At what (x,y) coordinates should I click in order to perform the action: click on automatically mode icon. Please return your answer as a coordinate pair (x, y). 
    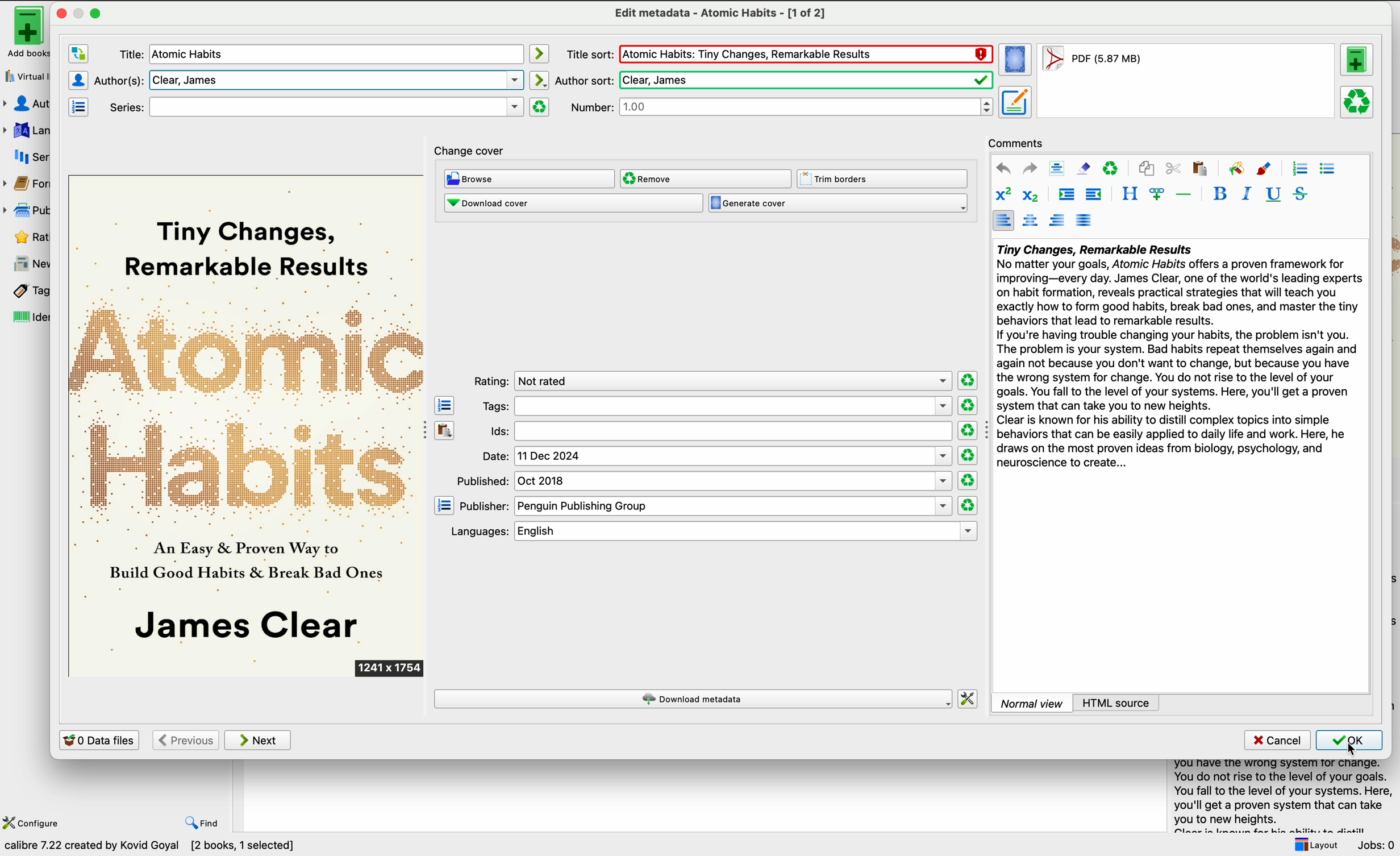
    Looking at the image, I should click on (539, 52).